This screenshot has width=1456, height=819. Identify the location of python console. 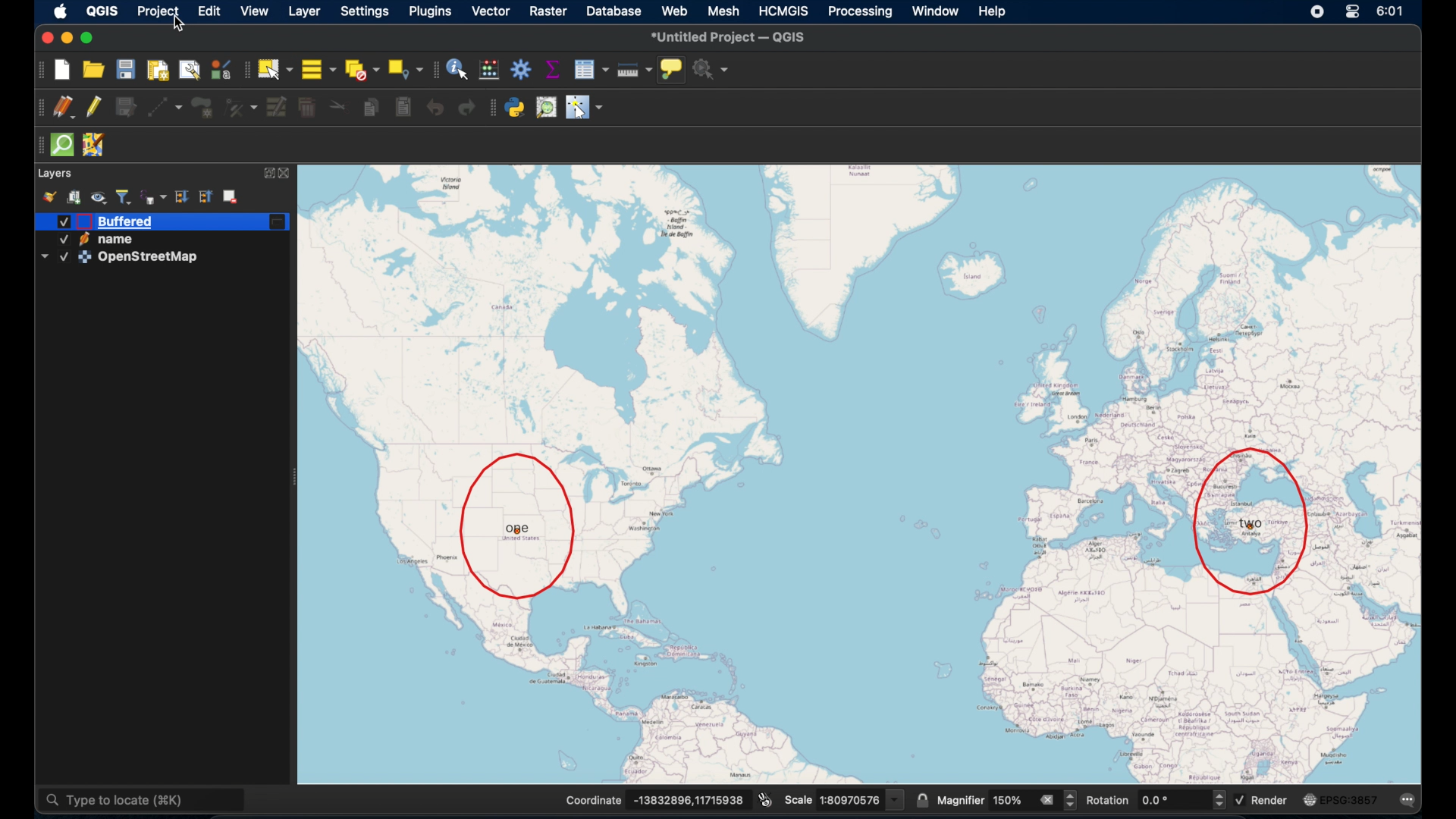
(515, 108).